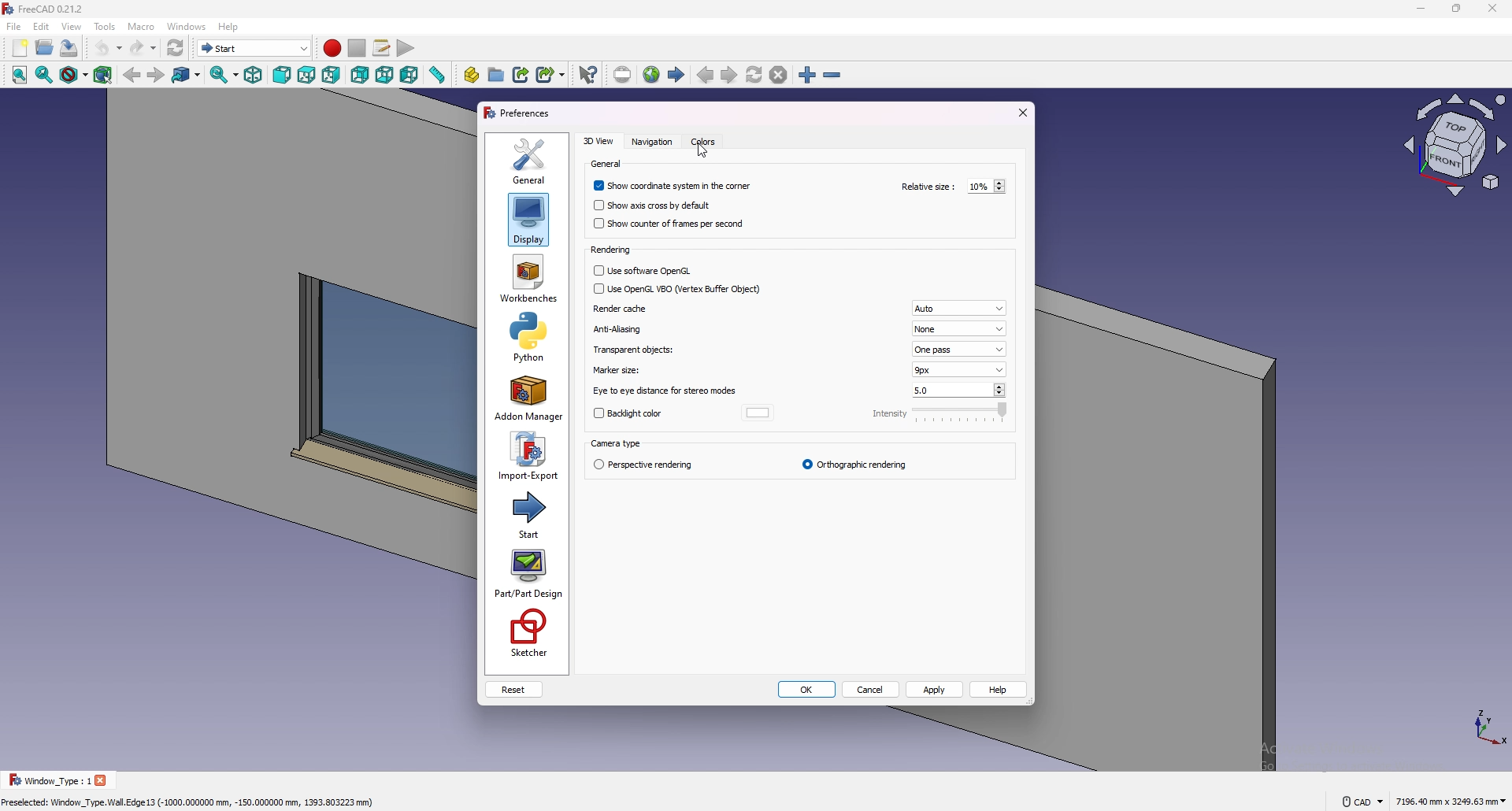 Image resolution: width=1512 pixels, height=811 pixels. Describe the element at coordinates (618, 370) in the screenshot. I see `marker size:` at that location.